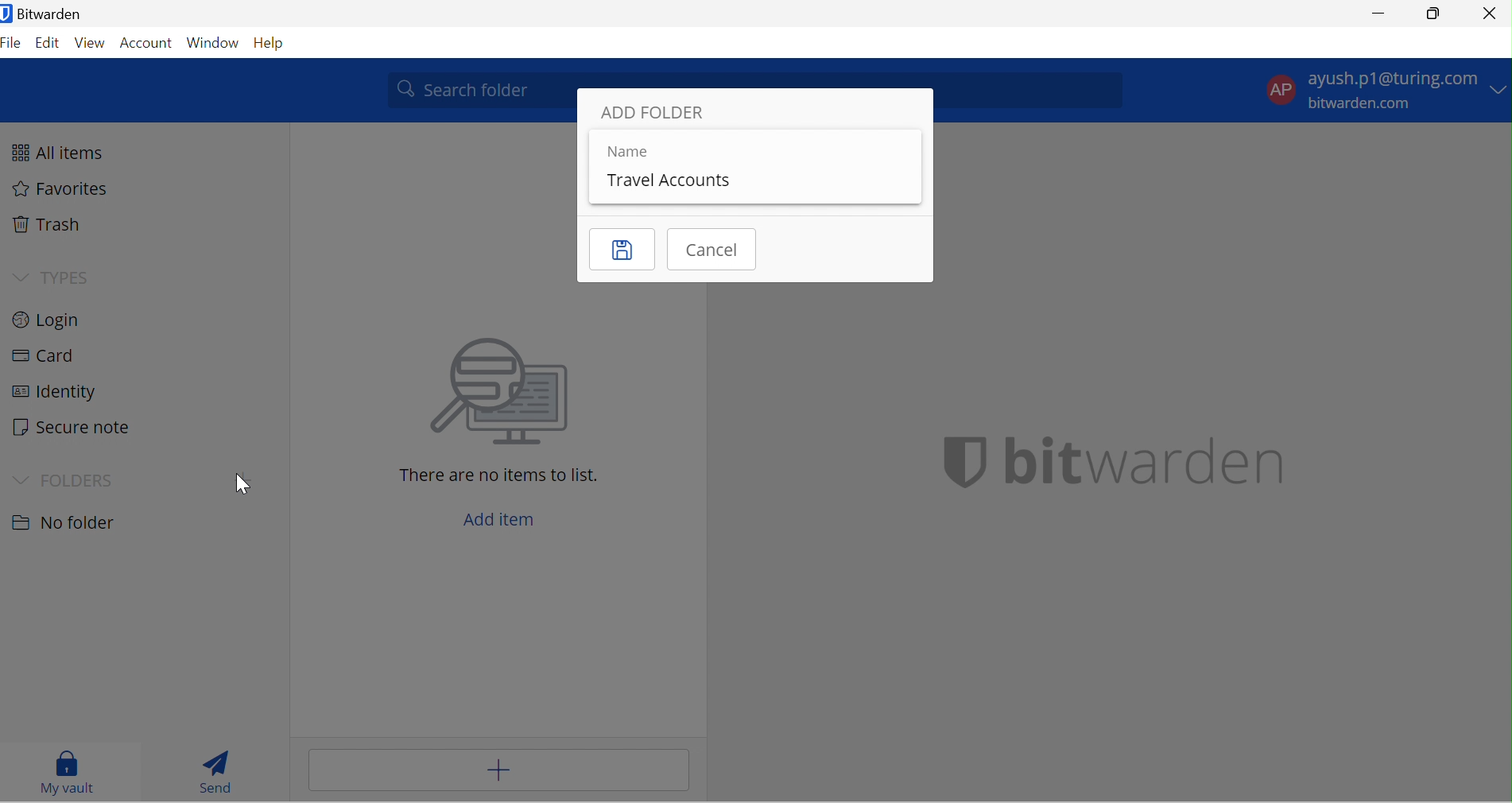  Describe the element at coordinates (49, 355) in the screenshot. I see `Card` at that location.